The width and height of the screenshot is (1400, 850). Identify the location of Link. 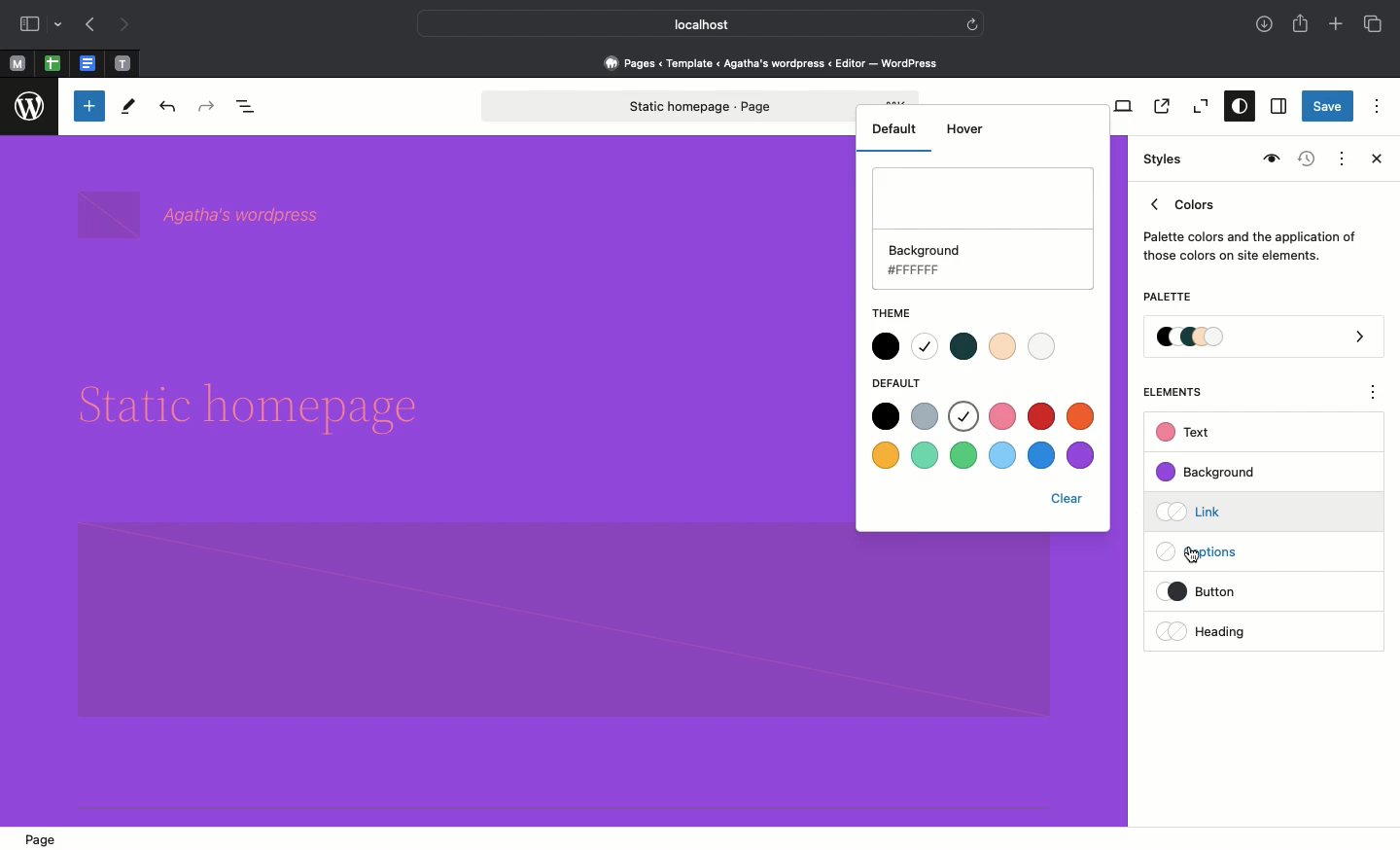
(1197, 511).